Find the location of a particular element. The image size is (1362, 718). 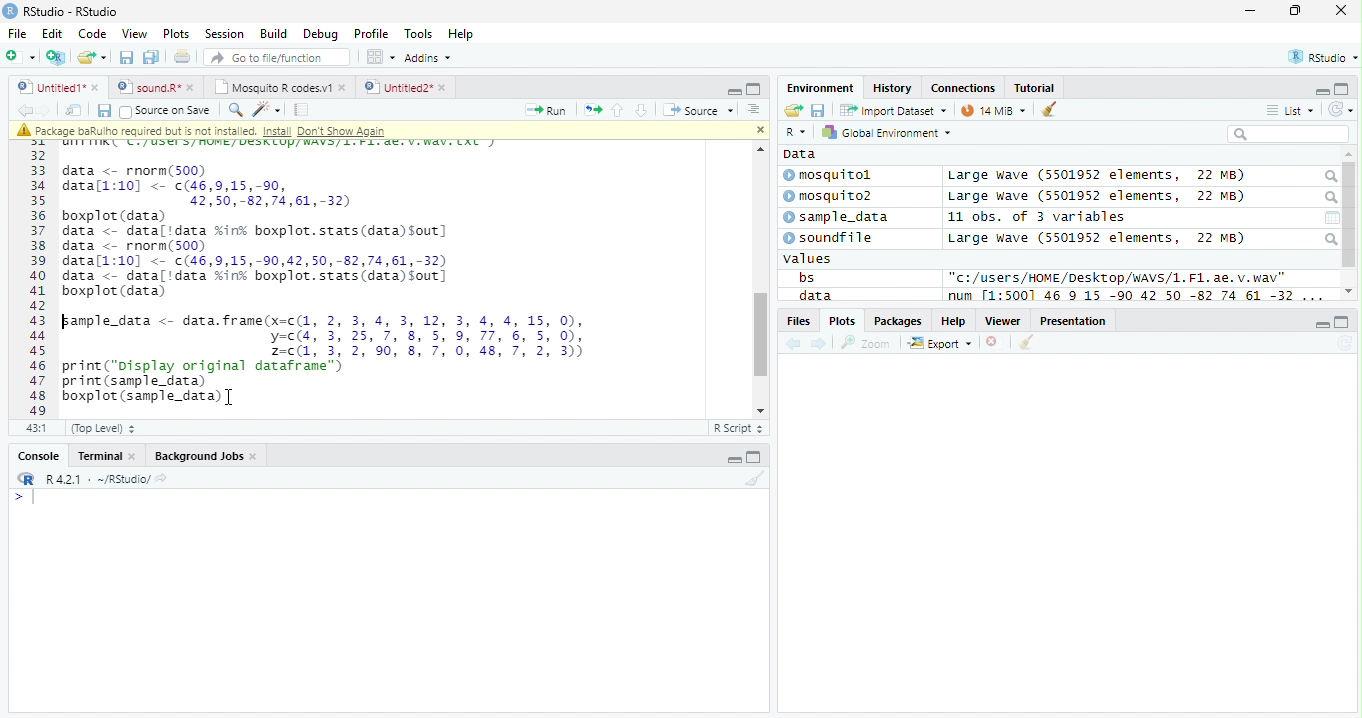

new file is located at coordinates (21, 57).